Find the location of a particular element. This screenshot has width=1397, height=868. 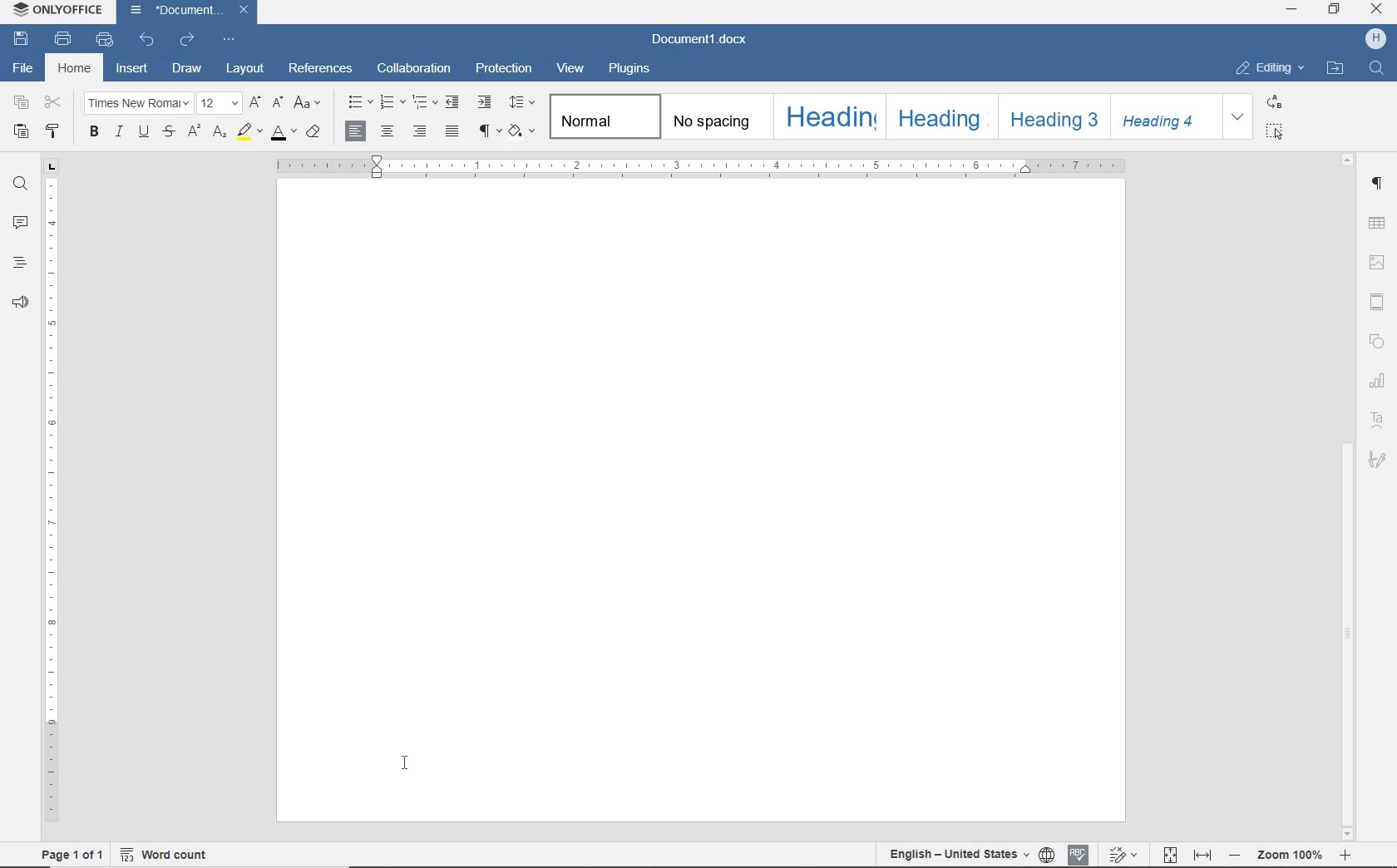

zoom out is located at coordinates (1236, 855).